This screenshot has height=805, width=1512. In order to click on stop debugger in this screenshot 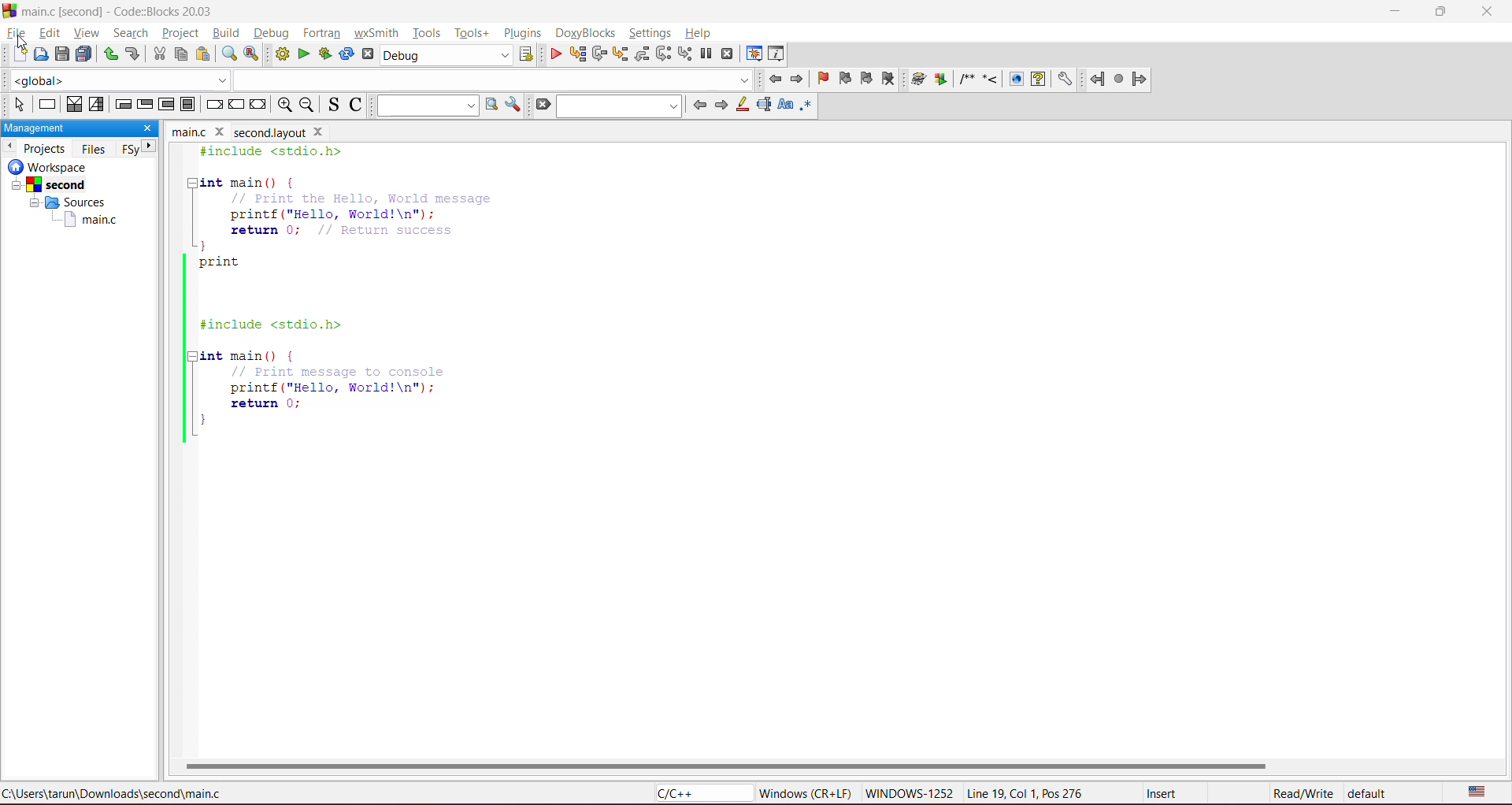, I will do `click(726, 54)`.